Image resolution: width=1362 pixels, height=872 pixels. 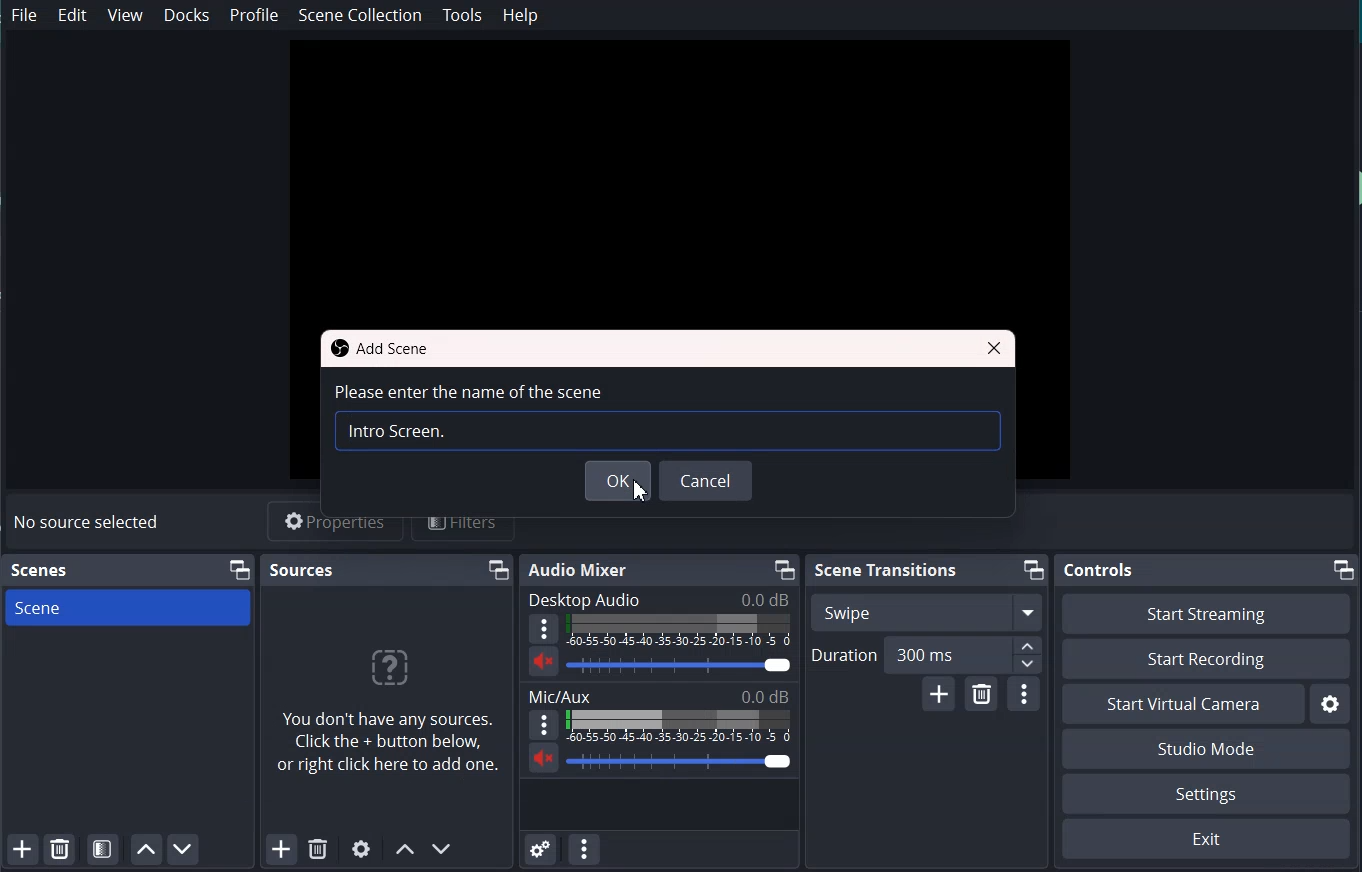 I want to click on Volume Adjuster, so click(x=683, y=761).